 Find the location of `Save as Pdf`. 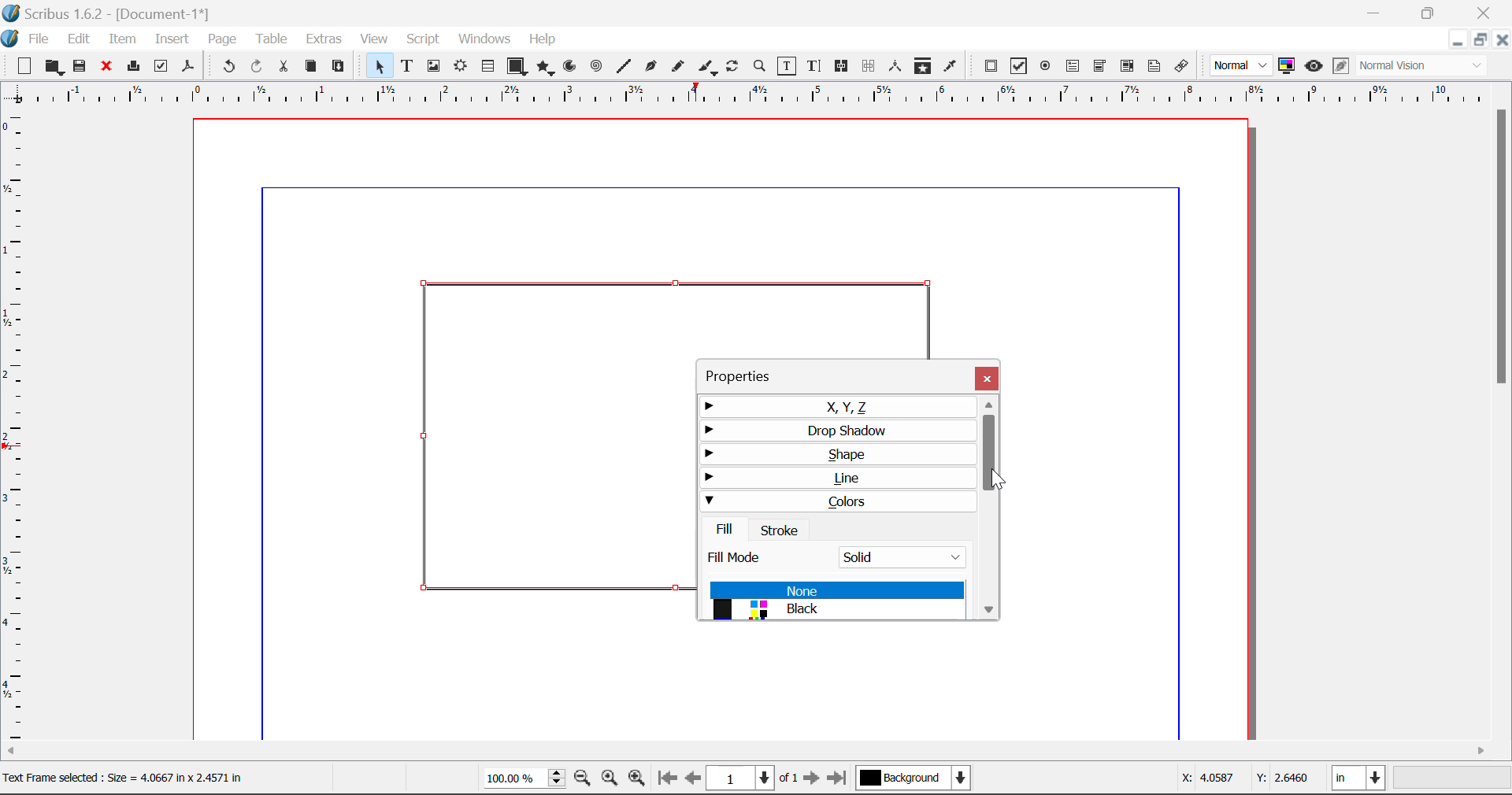

Save as Pdf is located at coordinates (188, 67).